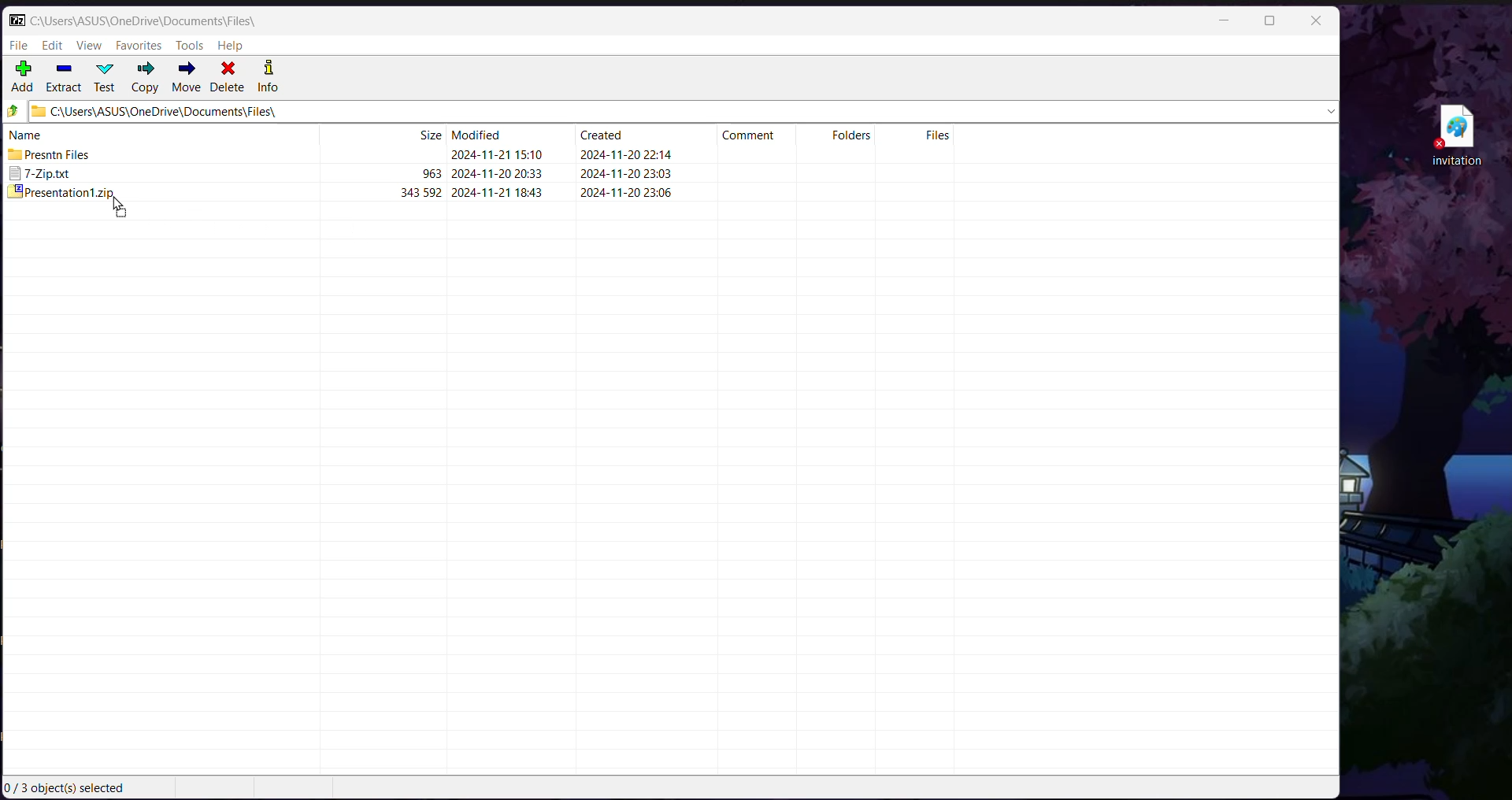 The image size is (1512, 800). I want to click on Close, so click(1315, 22).